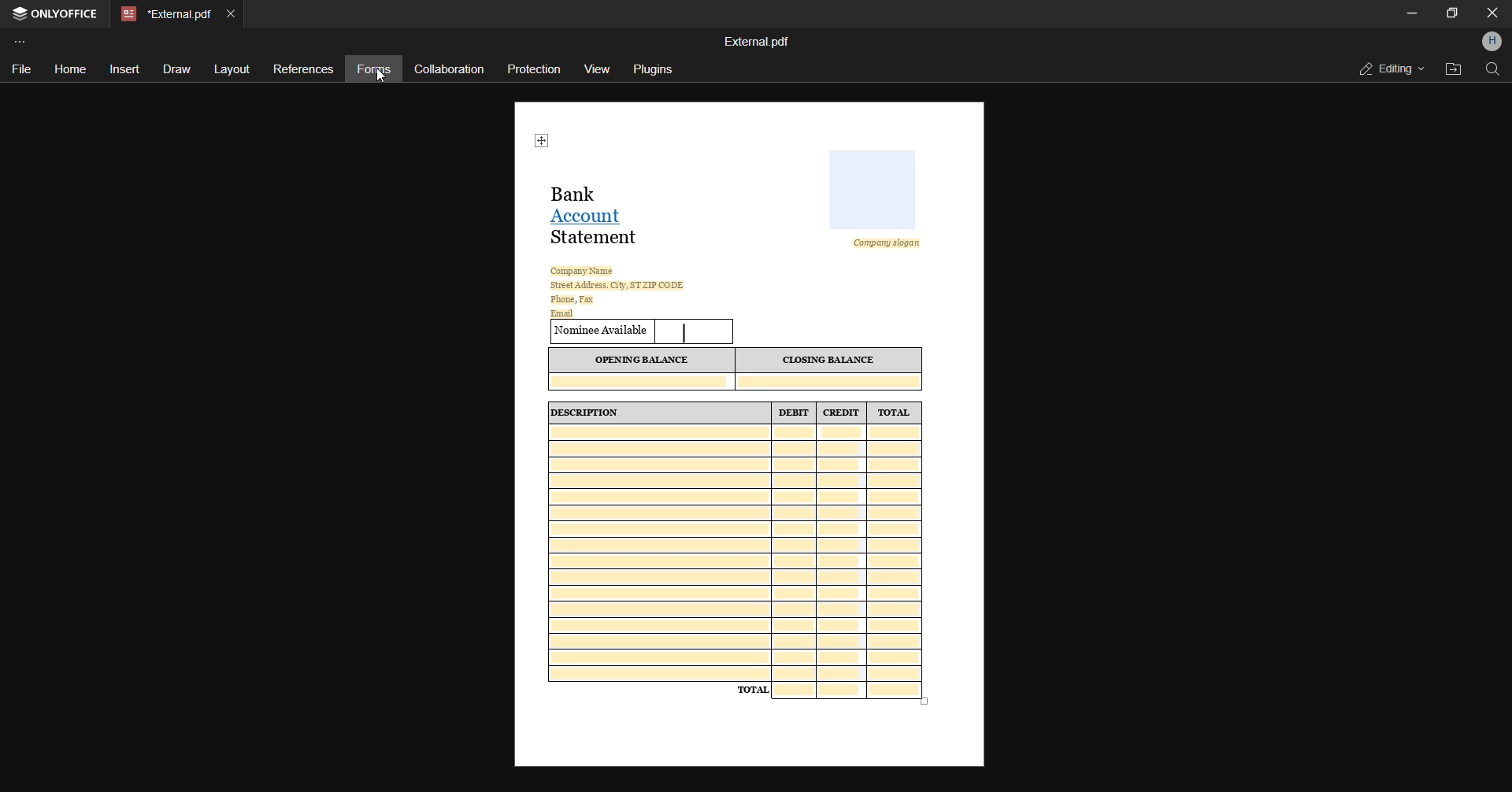 The image size is (1512, 792). What do you see at coordinates (1452, 14) in the screenshot?
I see `Maximize` at bounding box center [1452, 14].